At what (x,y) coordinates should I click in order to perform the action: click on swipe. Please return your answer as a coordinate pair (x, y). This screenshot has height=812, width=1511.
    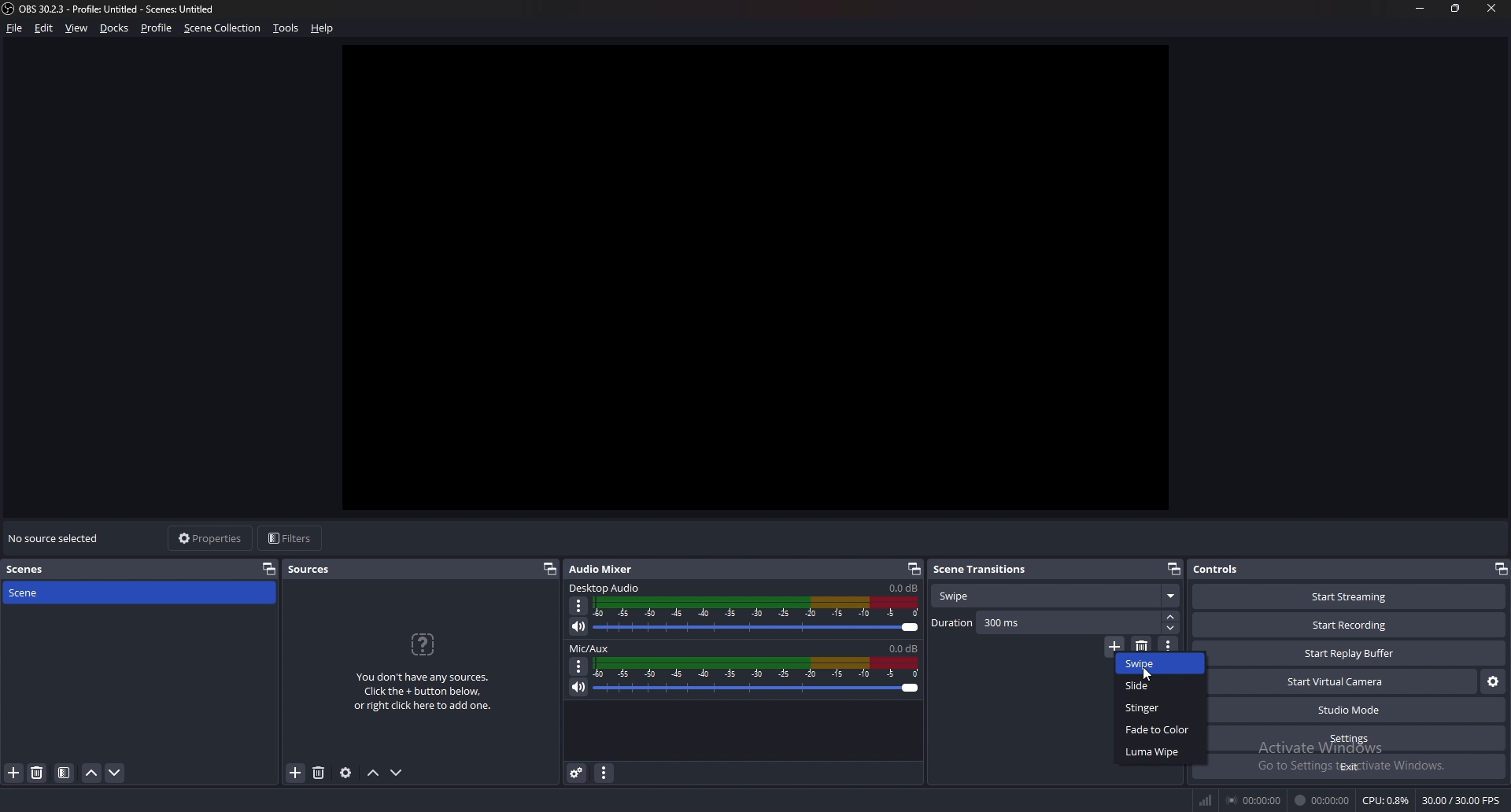
    Looking at the image, I should click on (1160, 664).